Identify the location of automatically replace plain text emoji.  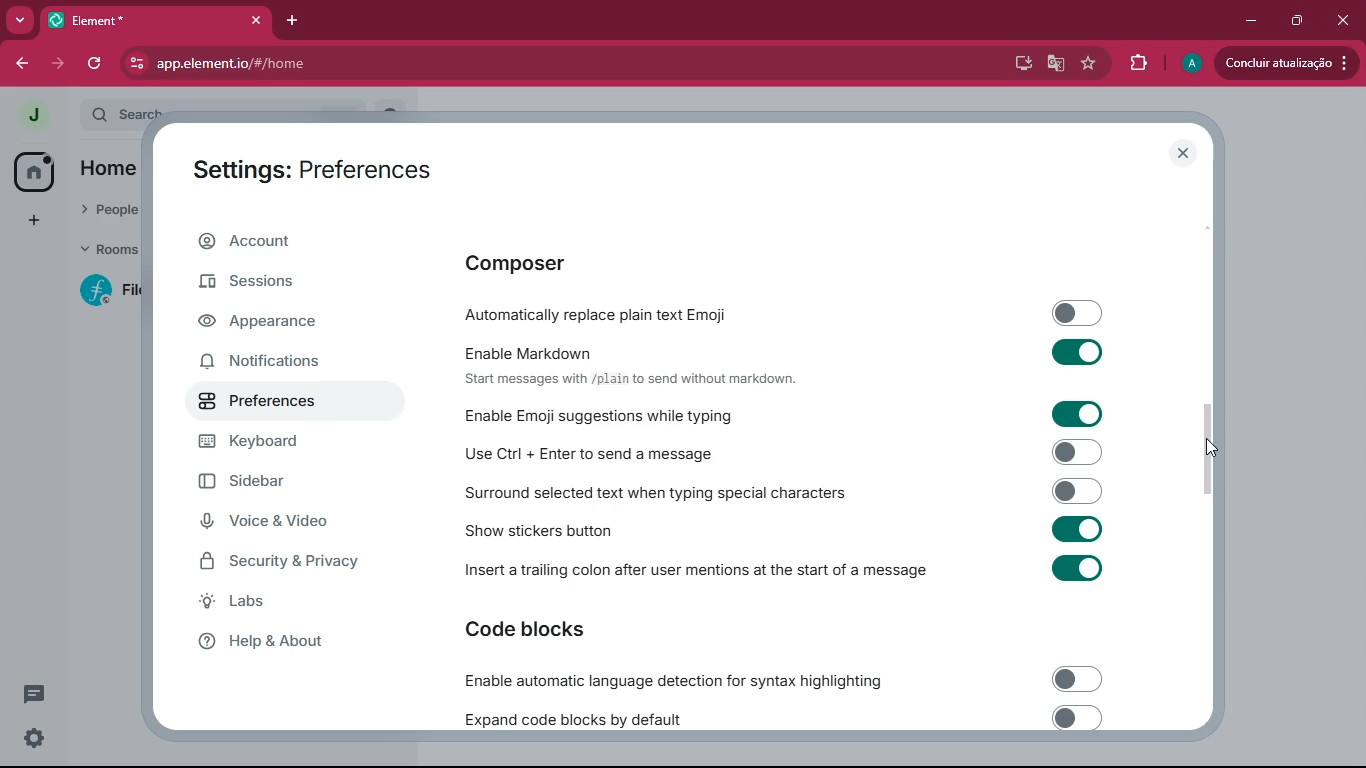
(794, 312).